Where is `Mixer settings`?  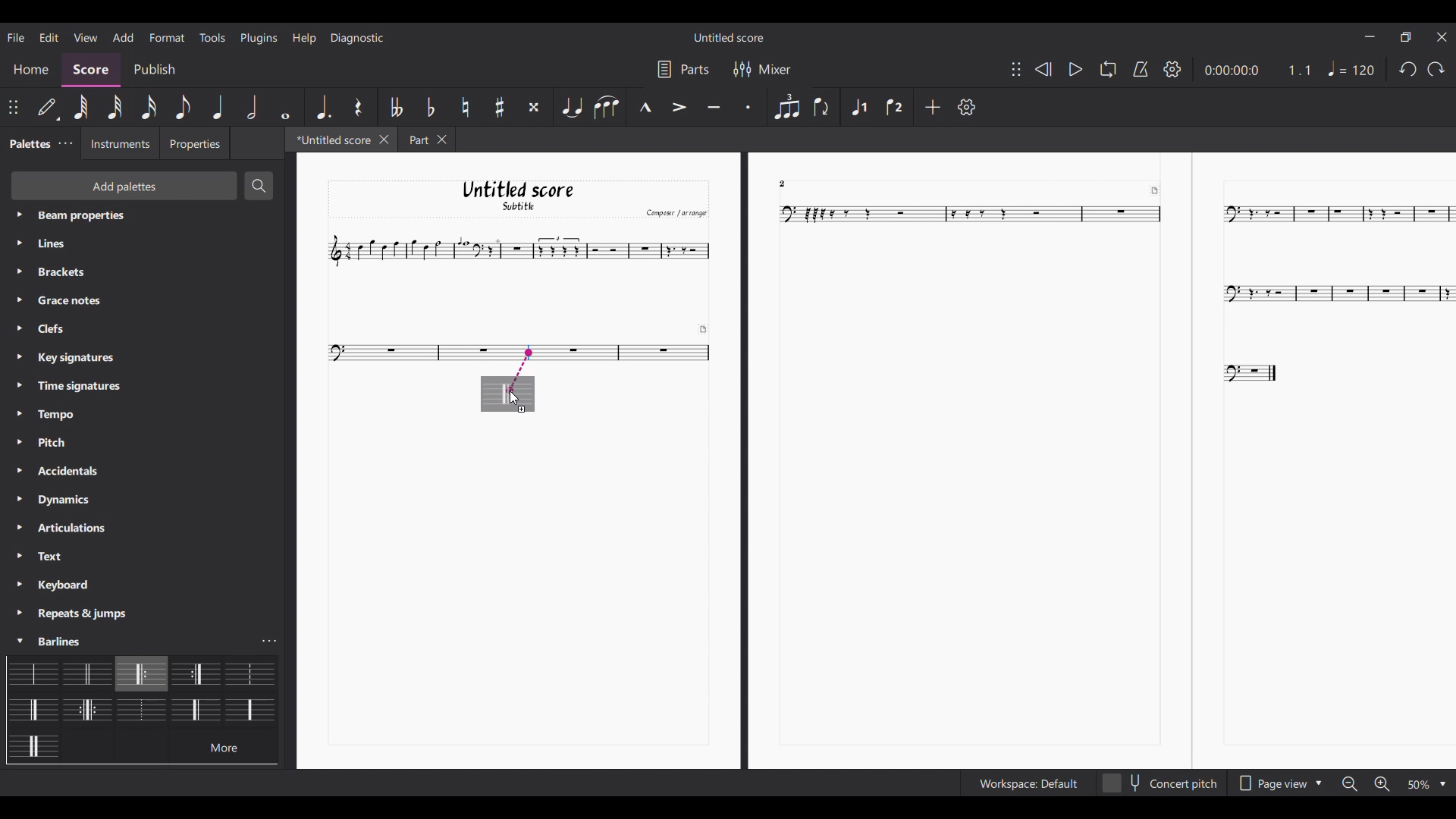
Mixer settings is located at coordinates (763, 70).